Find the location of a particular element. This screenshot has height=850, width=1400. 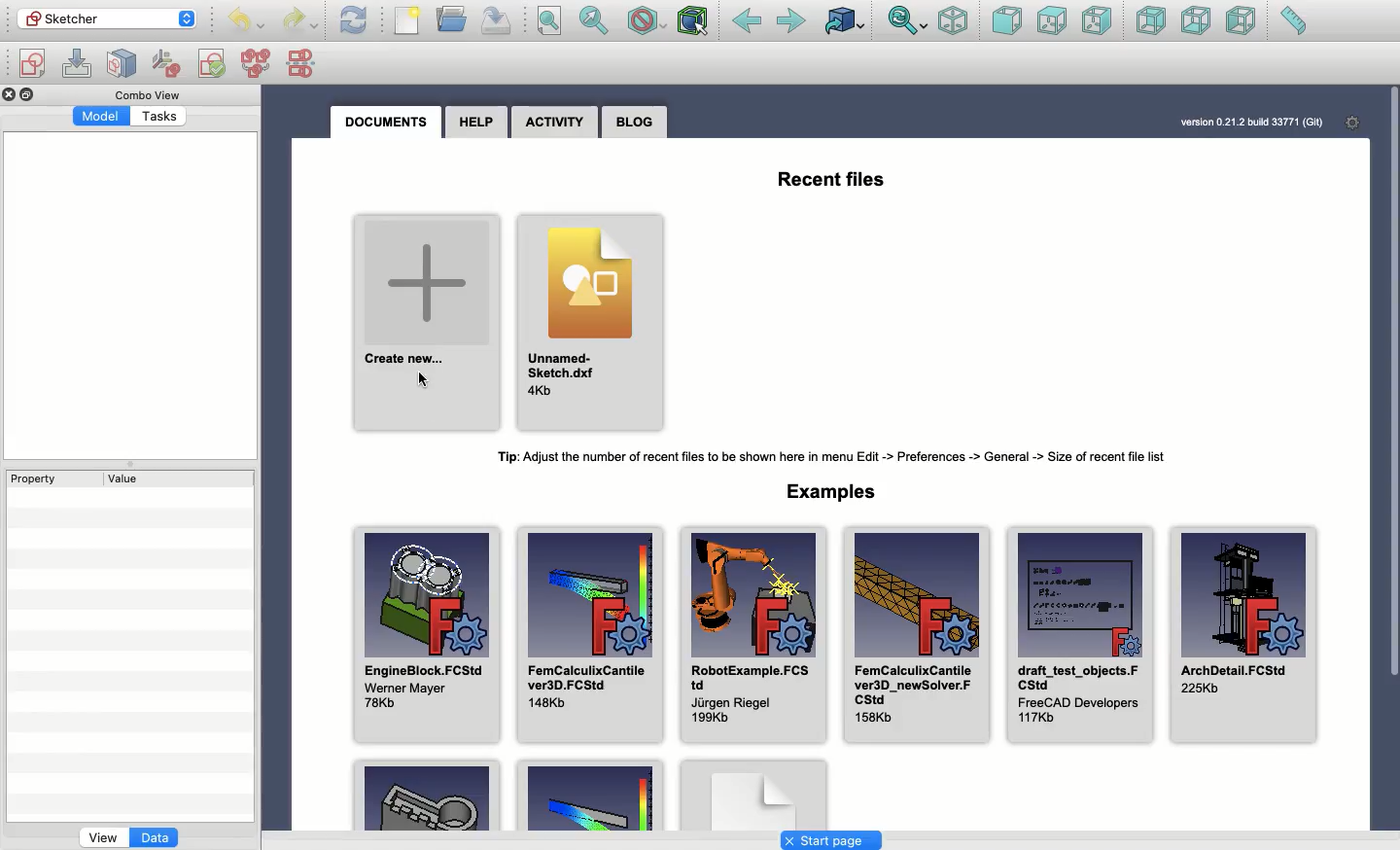

Mirror sketch is located at coordinates (303, 64).